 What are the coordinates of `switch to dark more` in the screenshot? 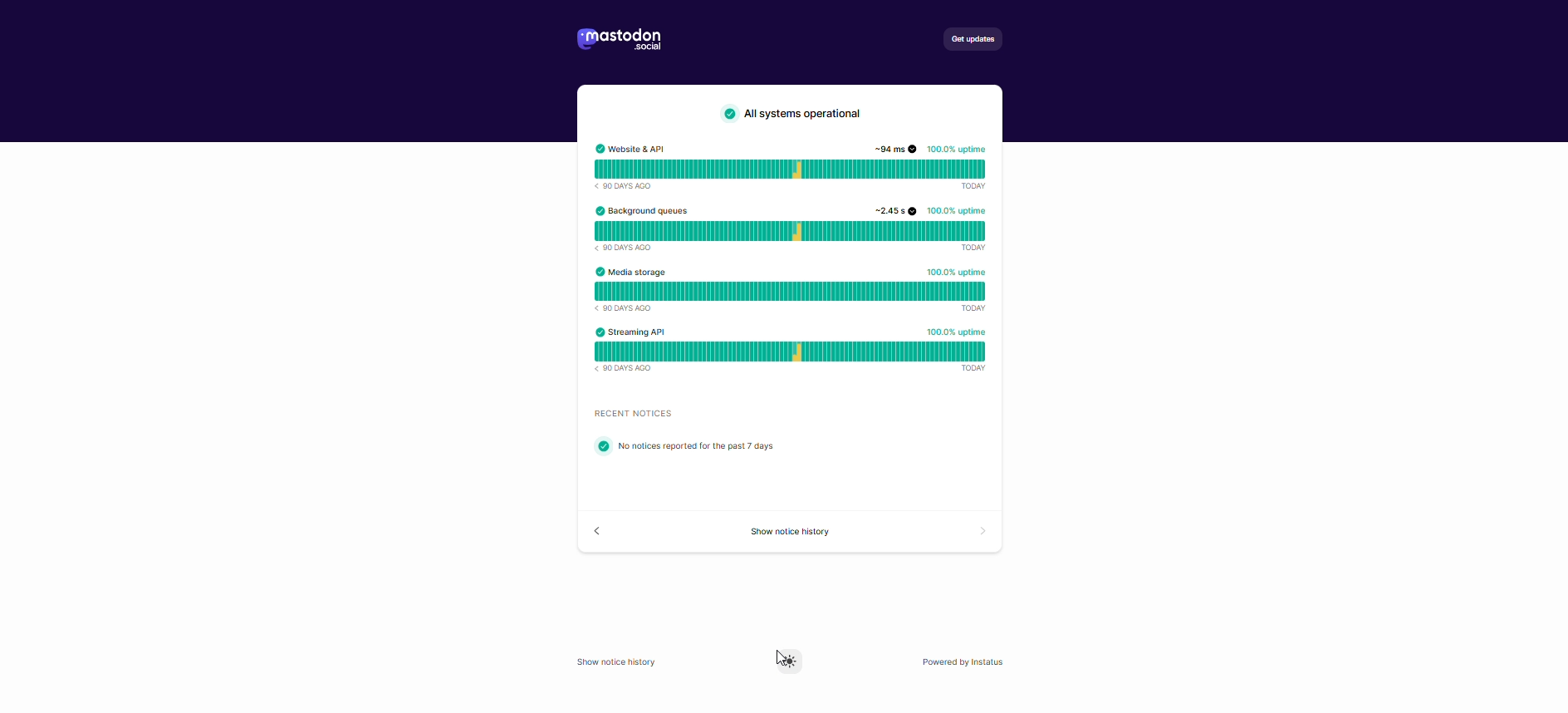 It's located at (790, 661).